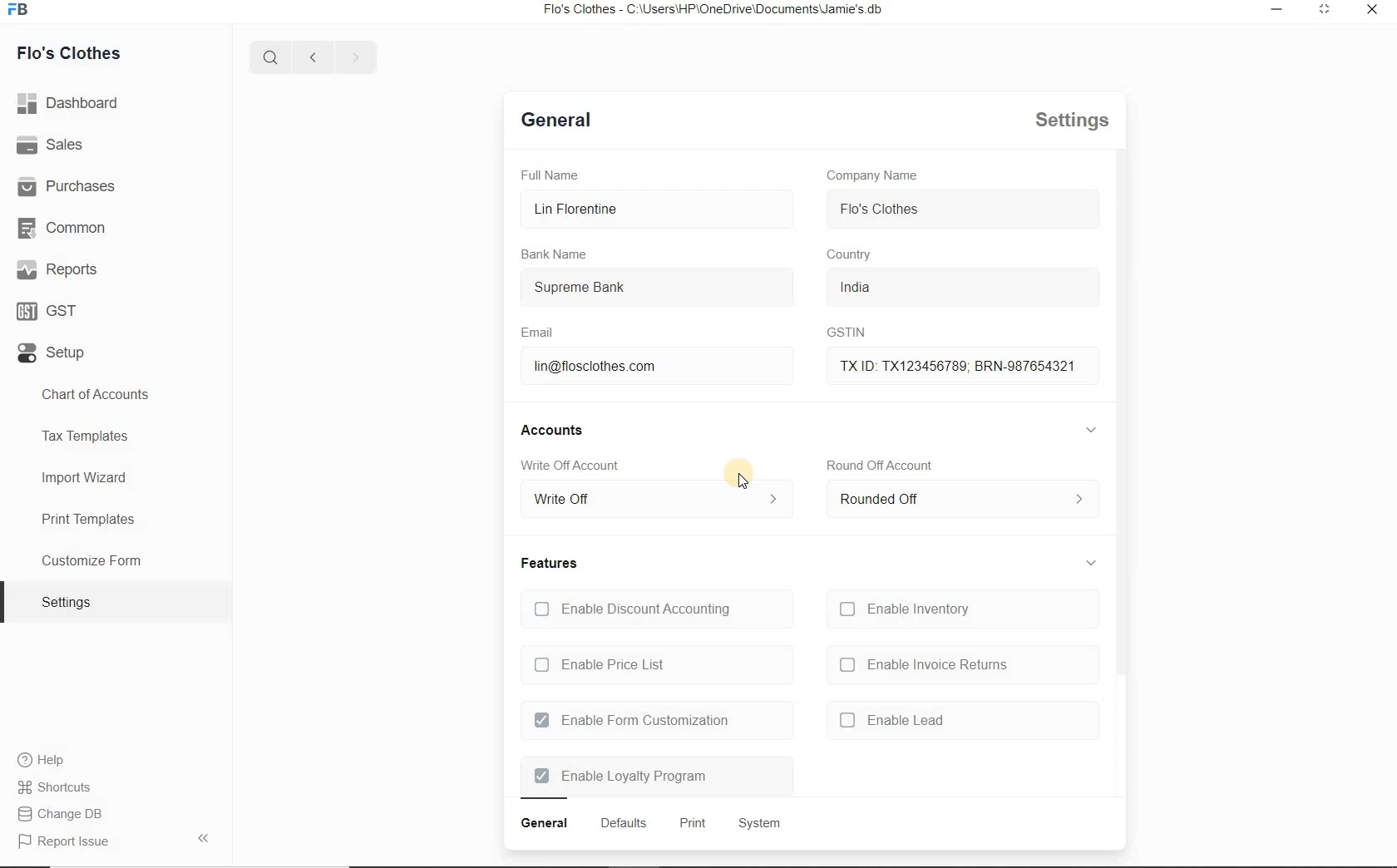 This screenshot has width=1397, height=868. What do you see at coordinates (852, 255) in the screenshot?
I see `Country` at bounding box center [852, 255].